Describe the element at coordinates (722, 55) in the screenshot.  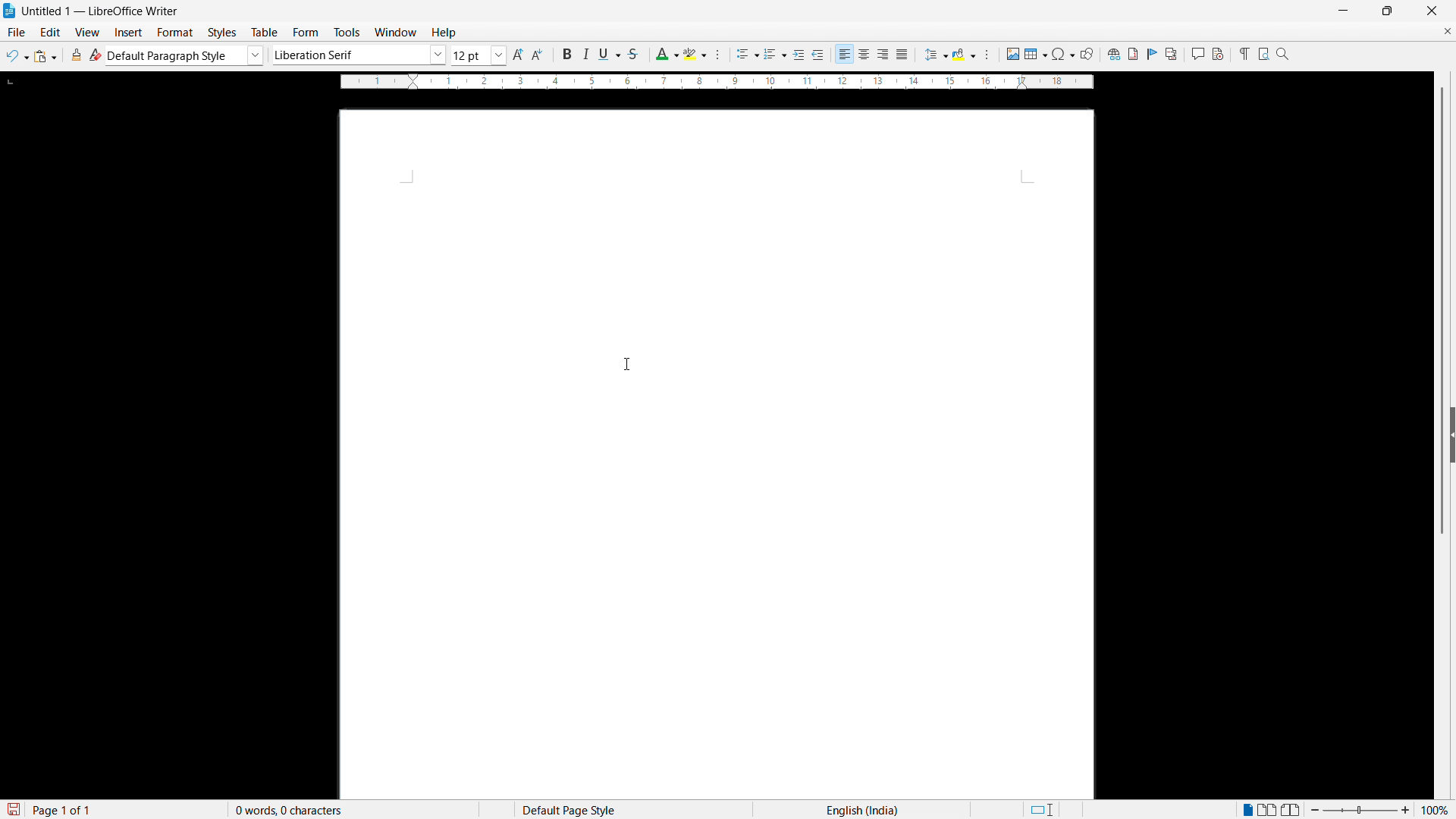
I see `Character ` at that location.